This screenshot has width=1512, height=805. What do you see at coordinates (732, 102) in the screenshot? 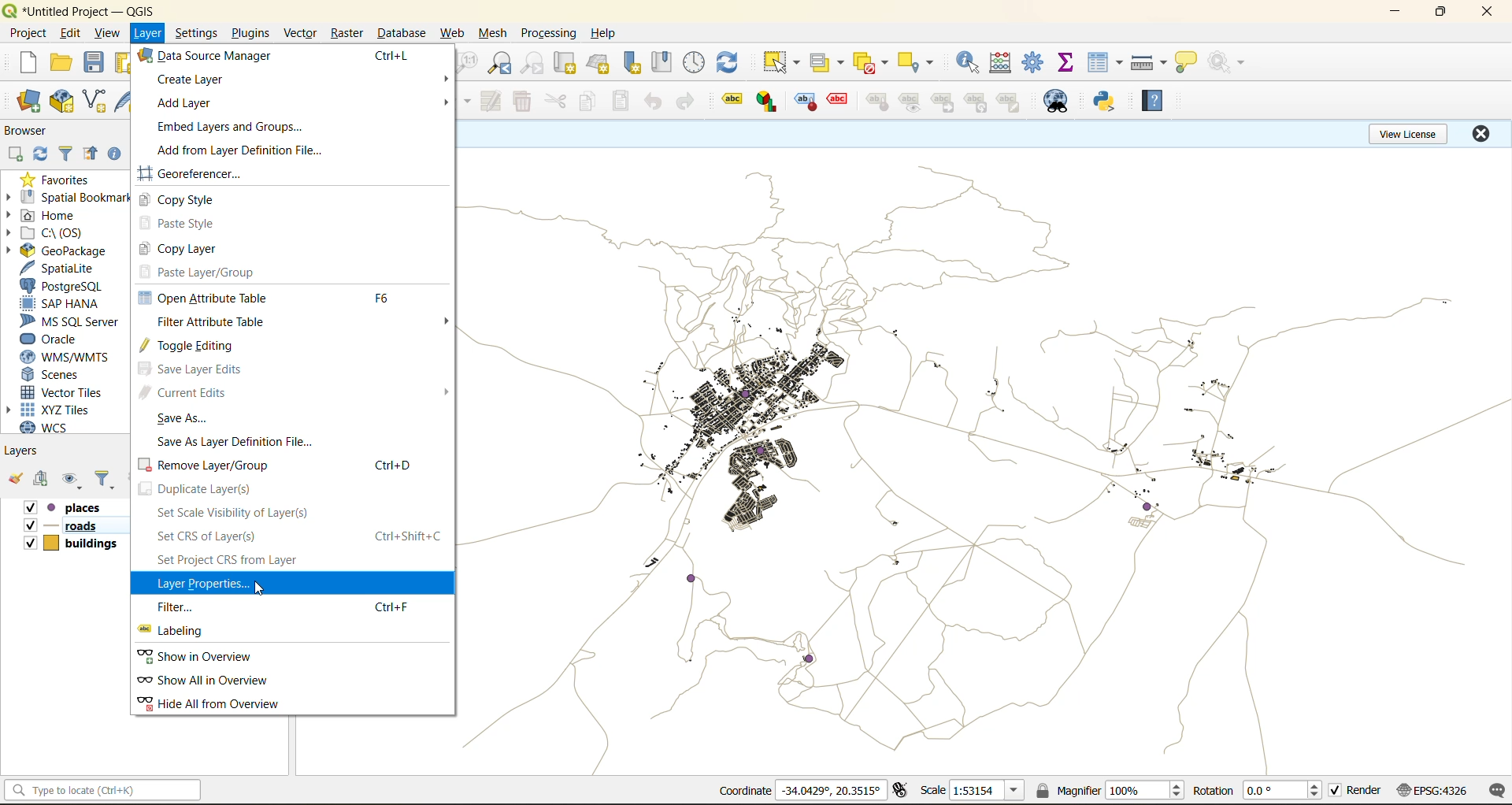
I see `label tool 1` at bounding box center [732, 102].